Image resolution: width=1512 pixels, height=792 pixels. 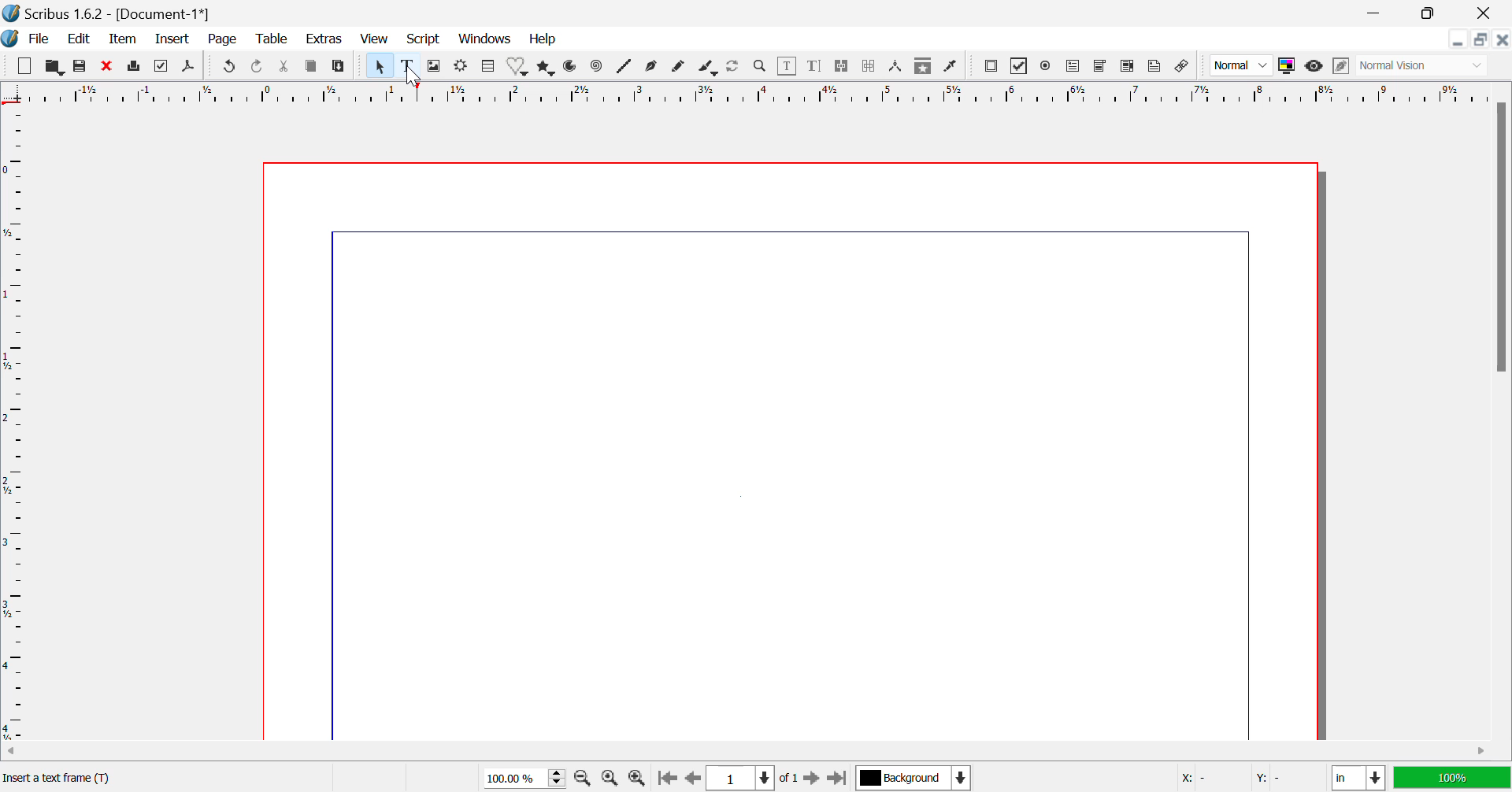 I want to click on Spiral, so click(x=595, y=69).